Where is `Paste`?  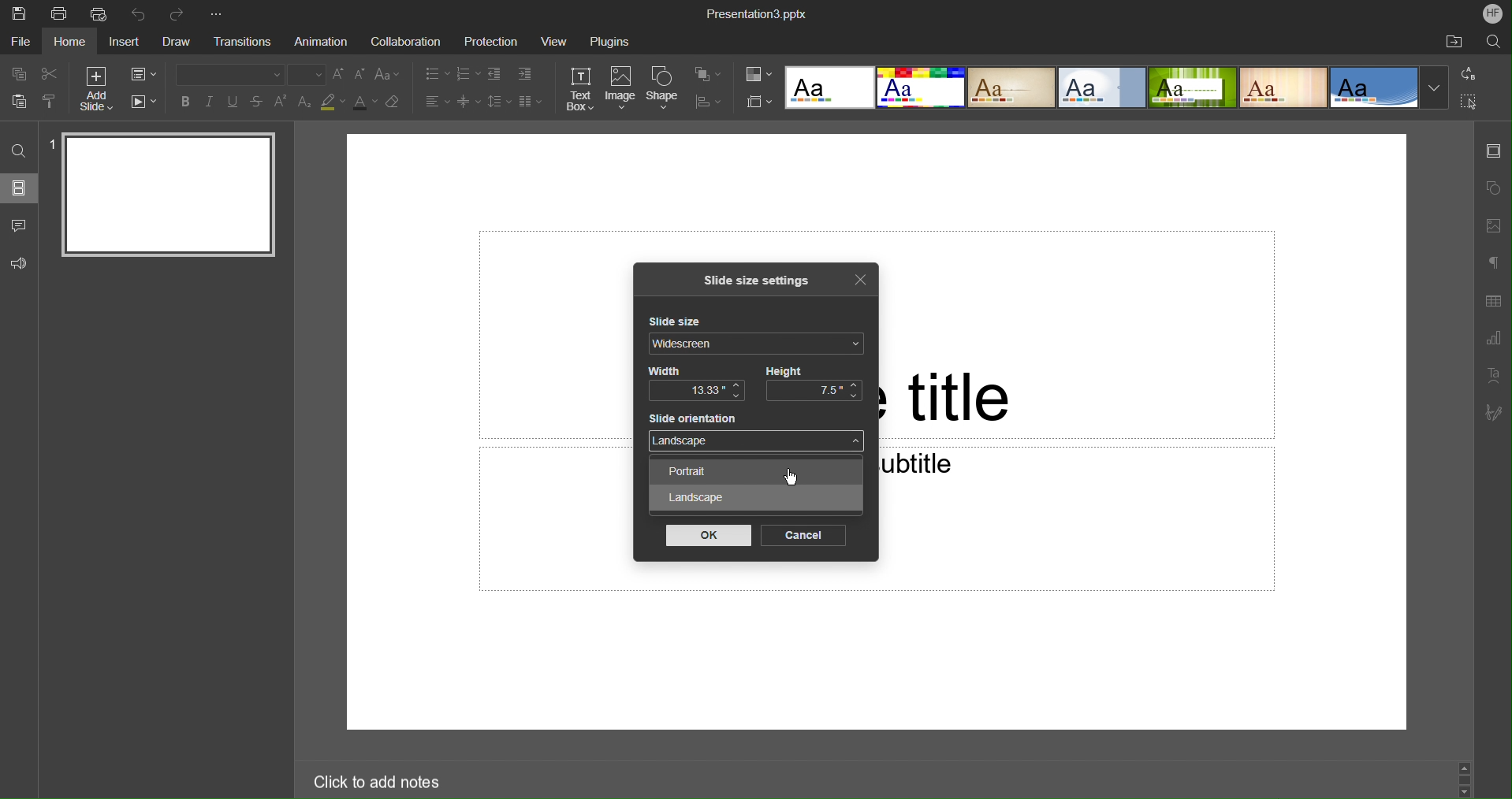
Paste is located at coordinates (16, 102).